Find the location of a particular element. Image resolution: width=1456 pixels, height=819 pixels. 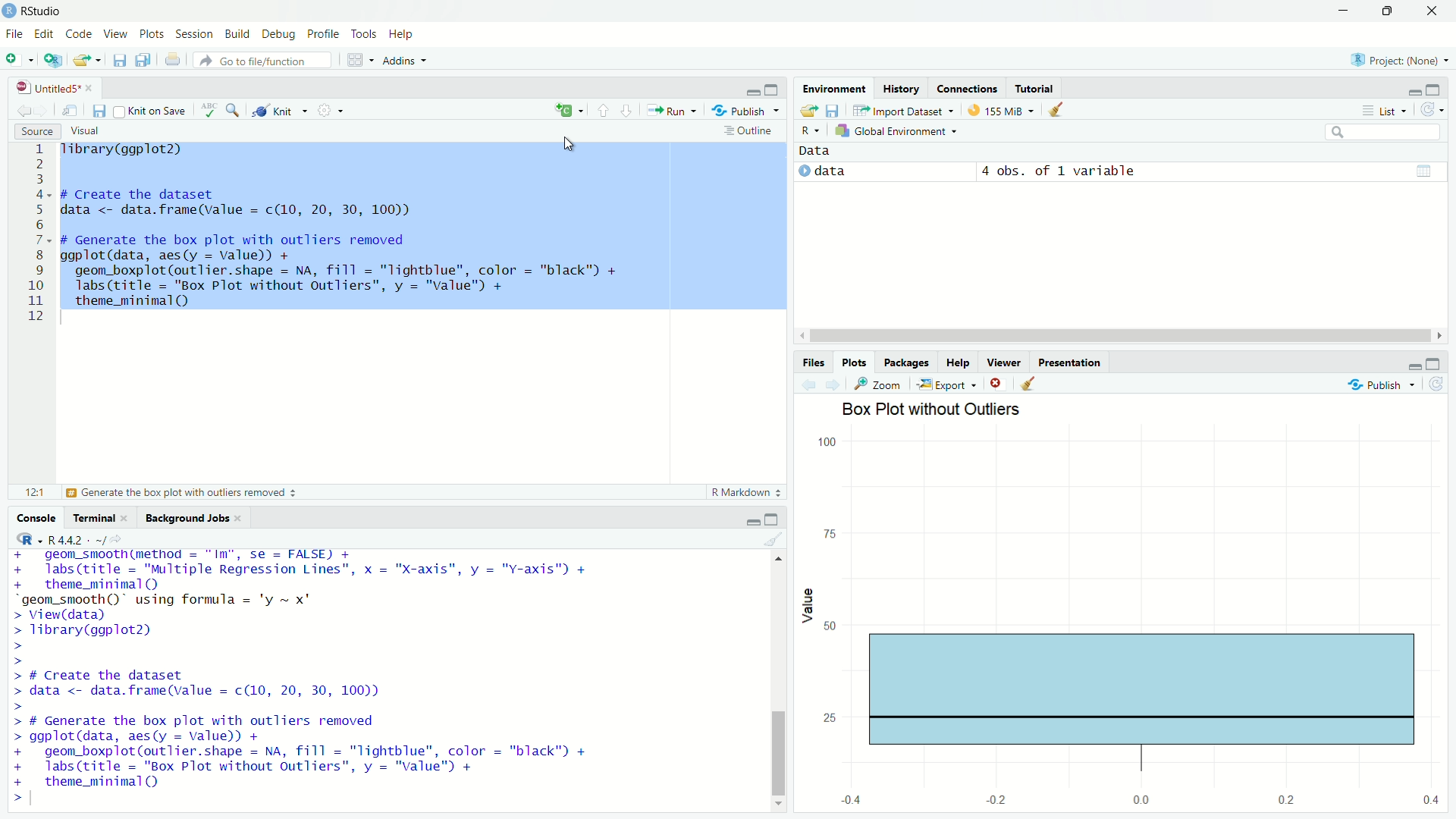

BOX plot Without outliers is located at coordinates (962, 409).